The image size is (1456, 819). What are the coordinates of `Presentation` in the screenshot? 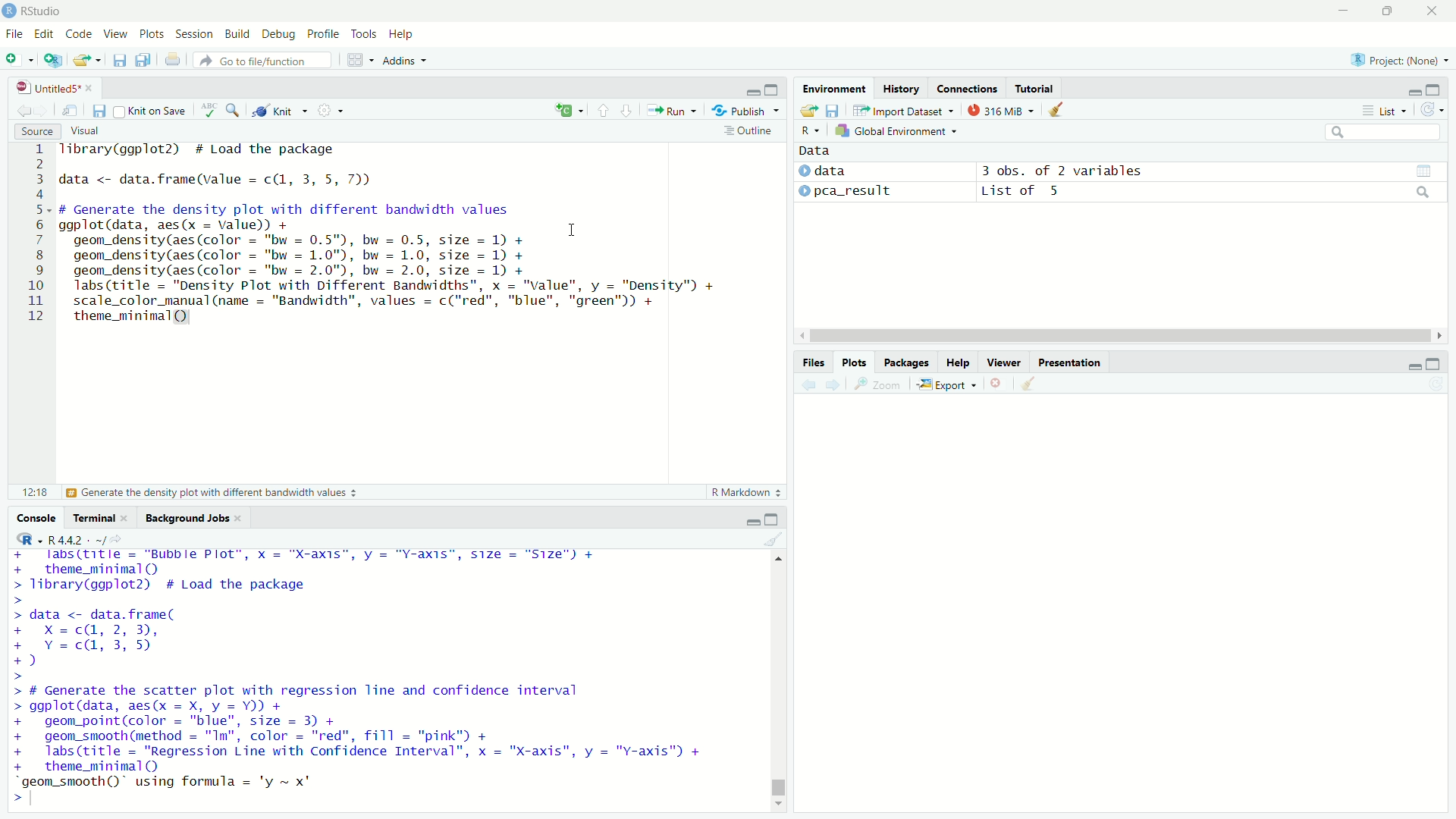 It's located at (1069, 362).